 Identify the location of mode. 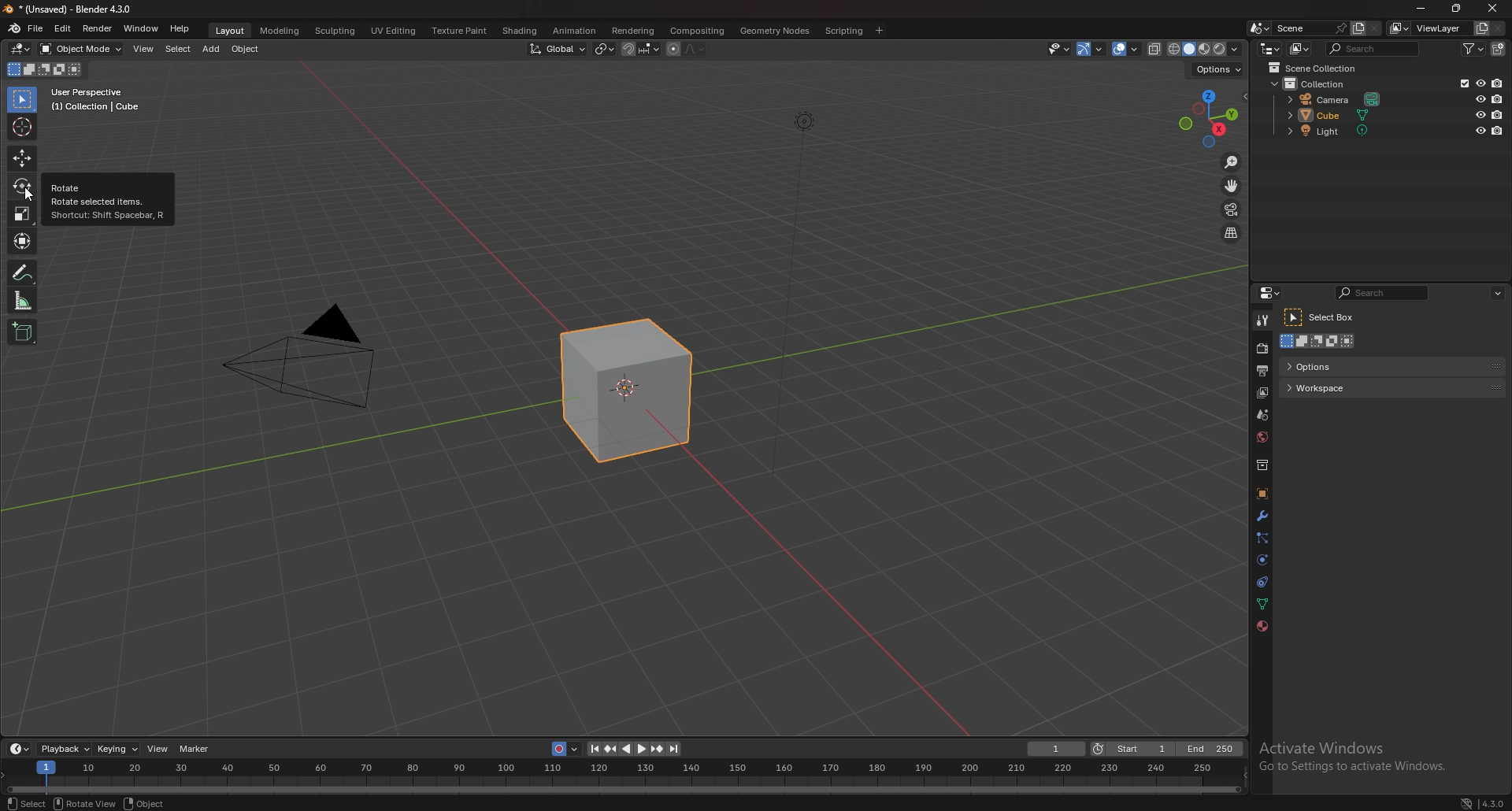
(1321, 342).